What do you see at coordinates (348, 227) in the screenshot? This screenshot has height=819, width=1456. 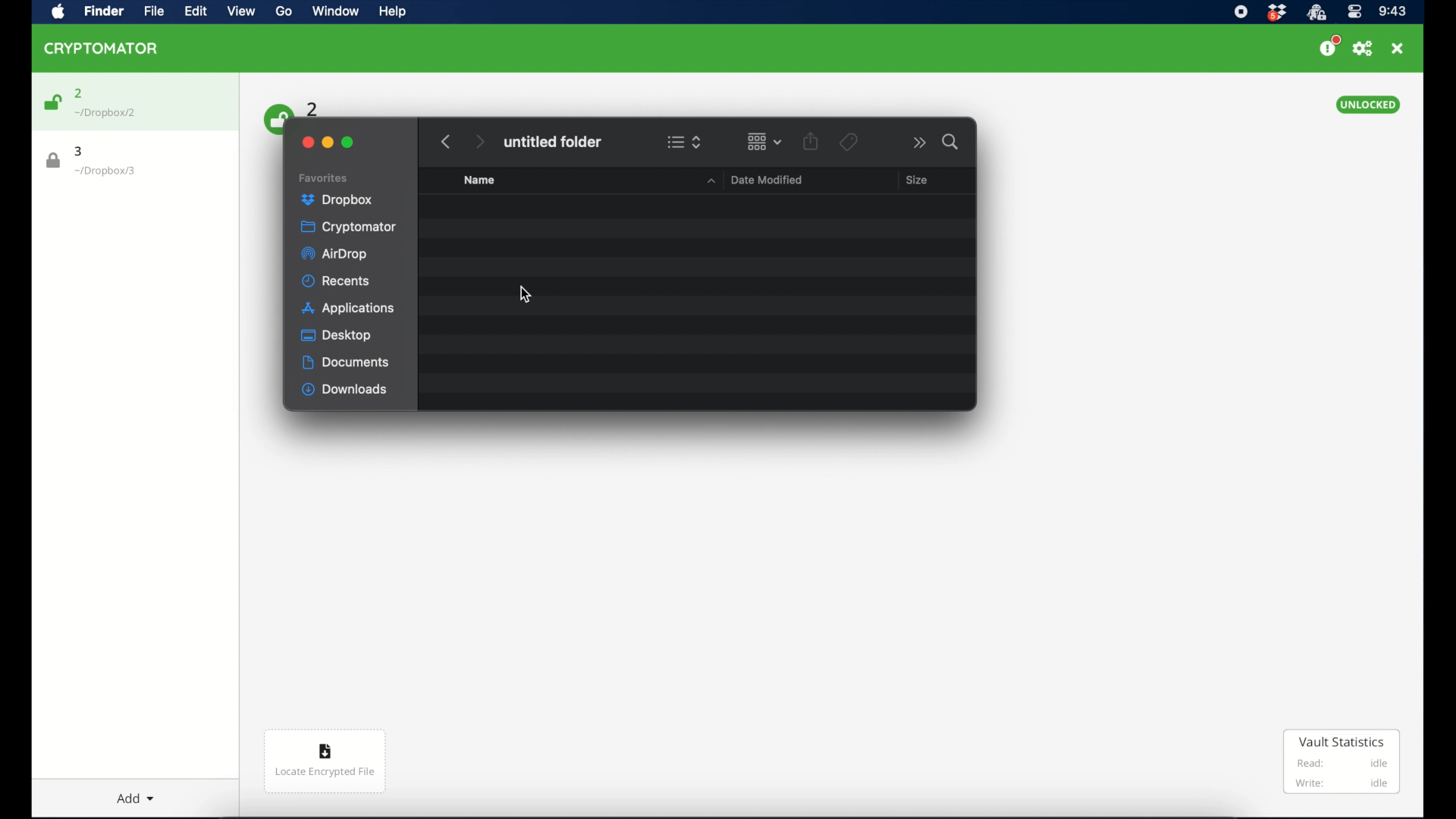 I see `cryptomator` at bounding box center [348, 227].